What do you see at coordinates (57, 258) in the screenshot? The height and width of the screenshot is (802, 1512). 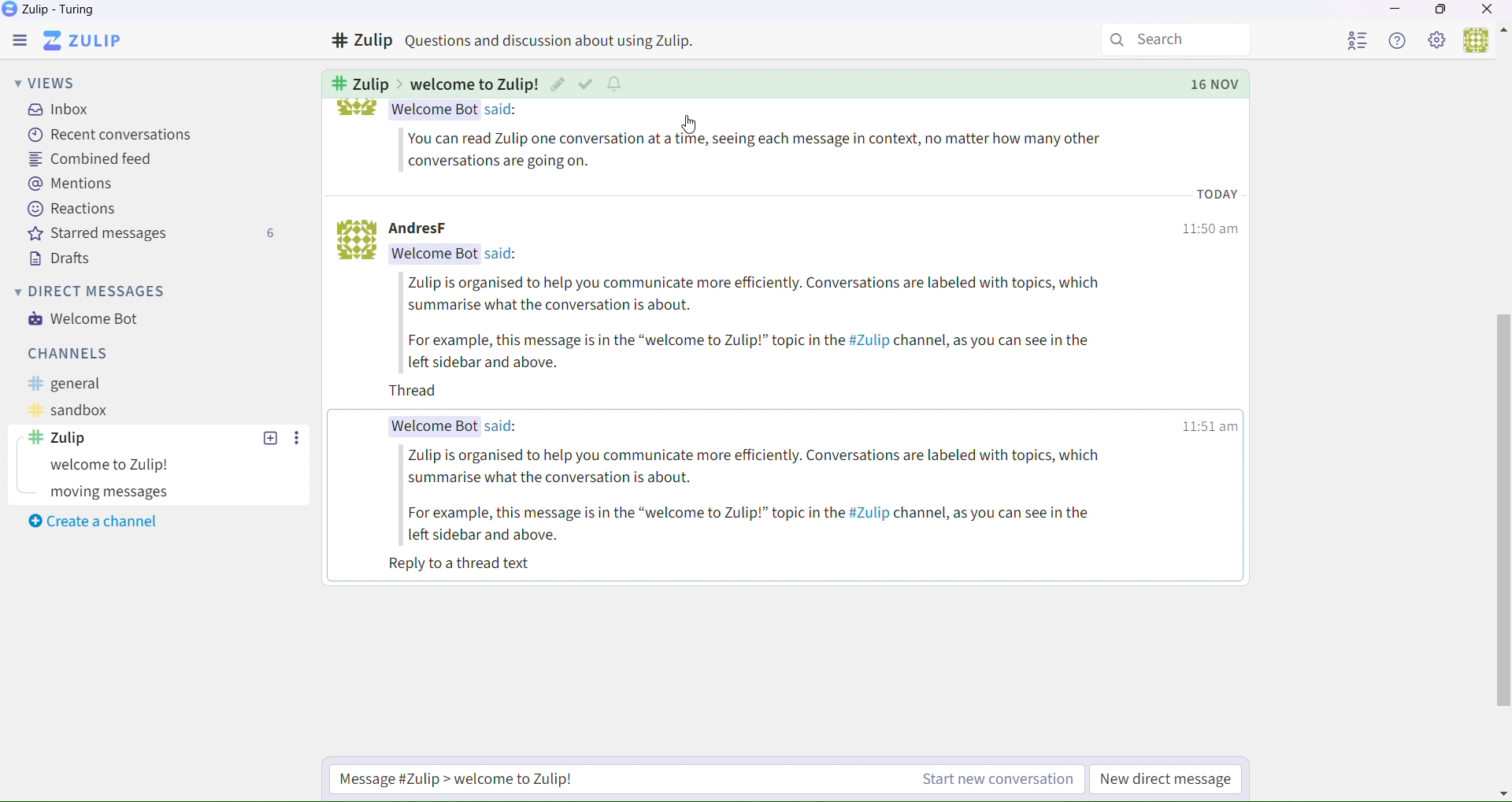 I see `Drafts` at bounding box center [57, 258].